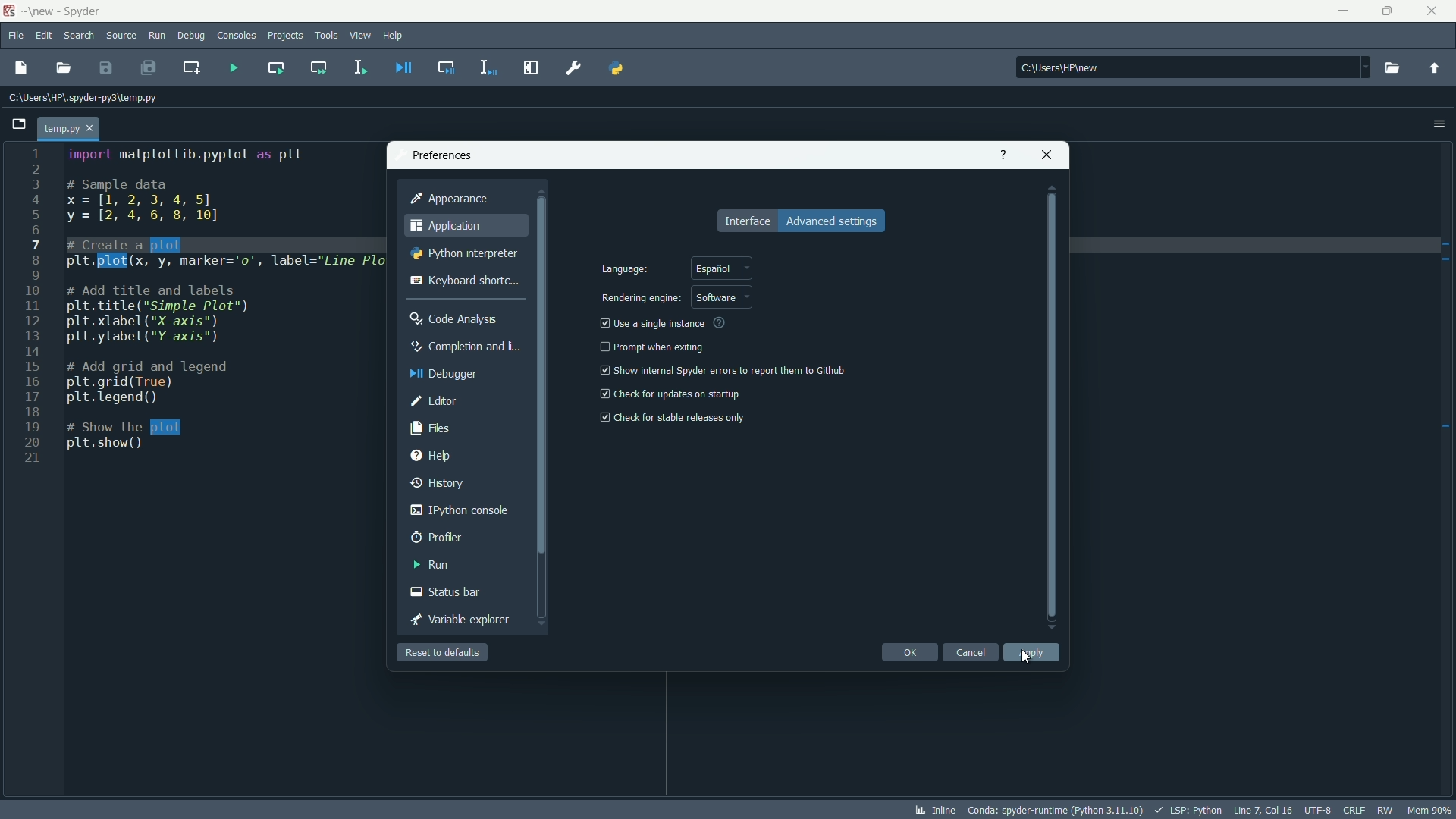  I want to click on create new cell at the current line, so click(190, 67).